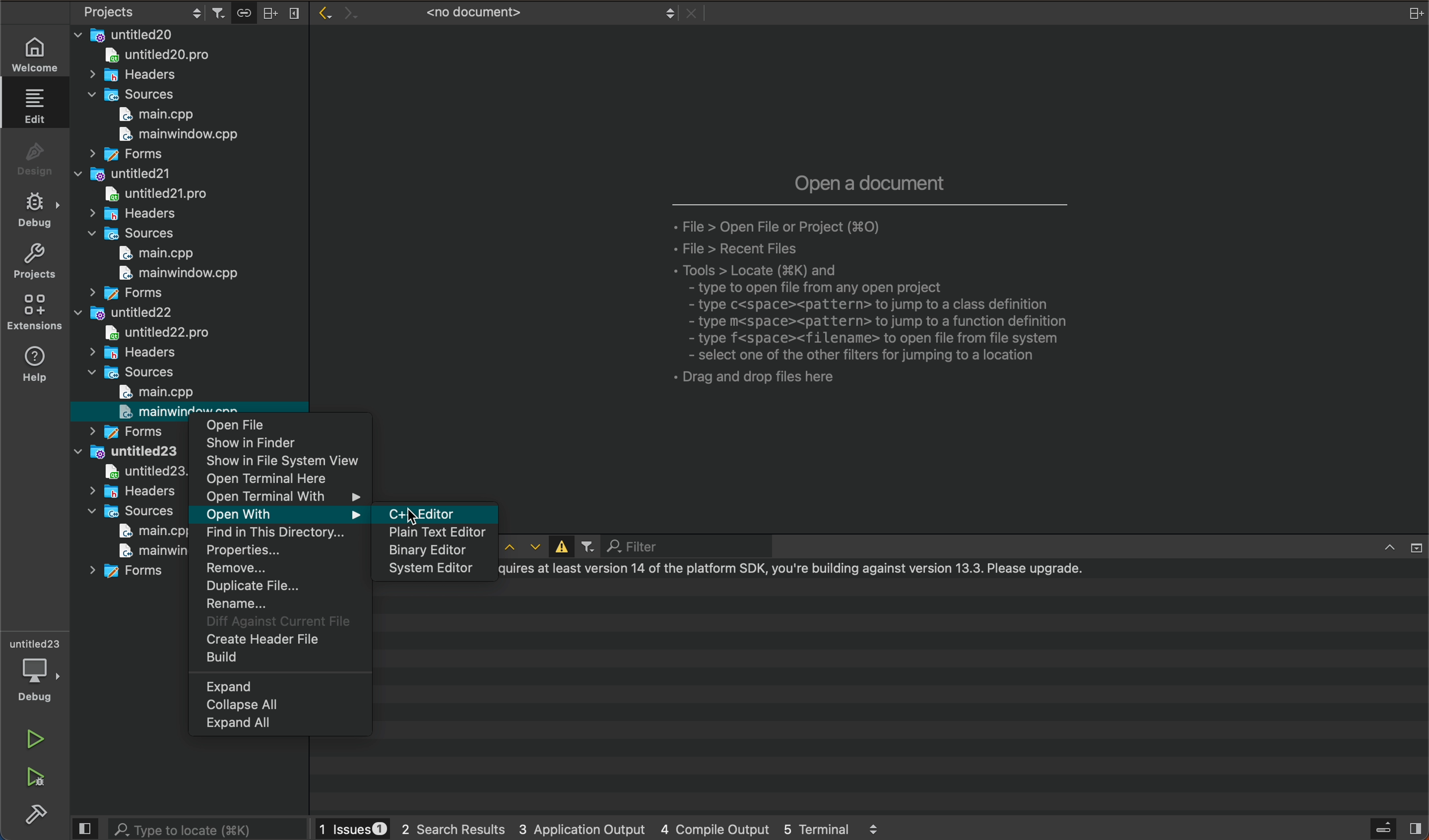 The image size is (1429, 840). What do you see at coordinates (141, 531) in the screenshot?
I see `msin.cpp` at bounding box center [141, 531].